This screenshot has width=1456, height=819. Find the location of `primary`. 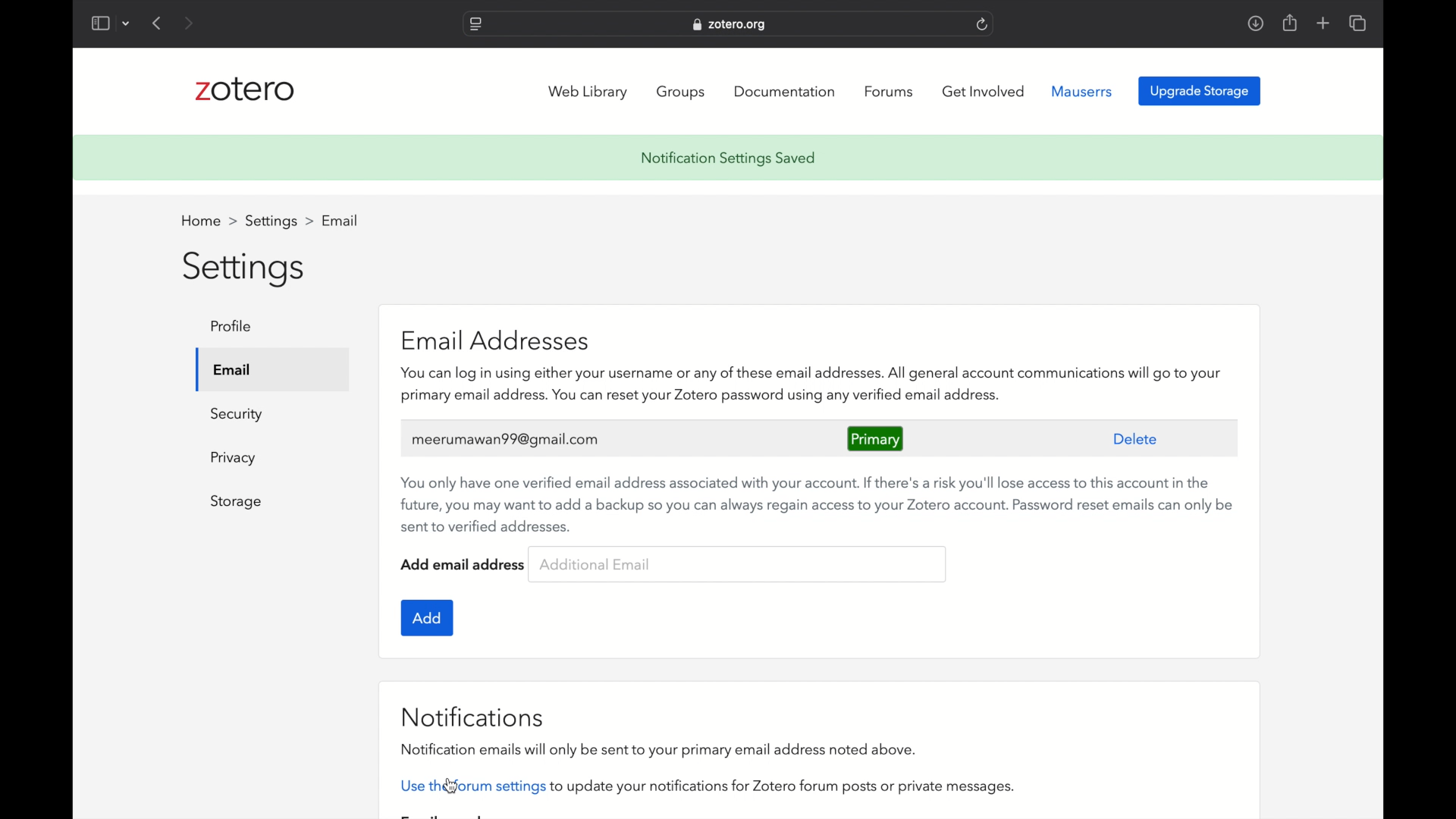

primary is located at coordinates (875, 437).